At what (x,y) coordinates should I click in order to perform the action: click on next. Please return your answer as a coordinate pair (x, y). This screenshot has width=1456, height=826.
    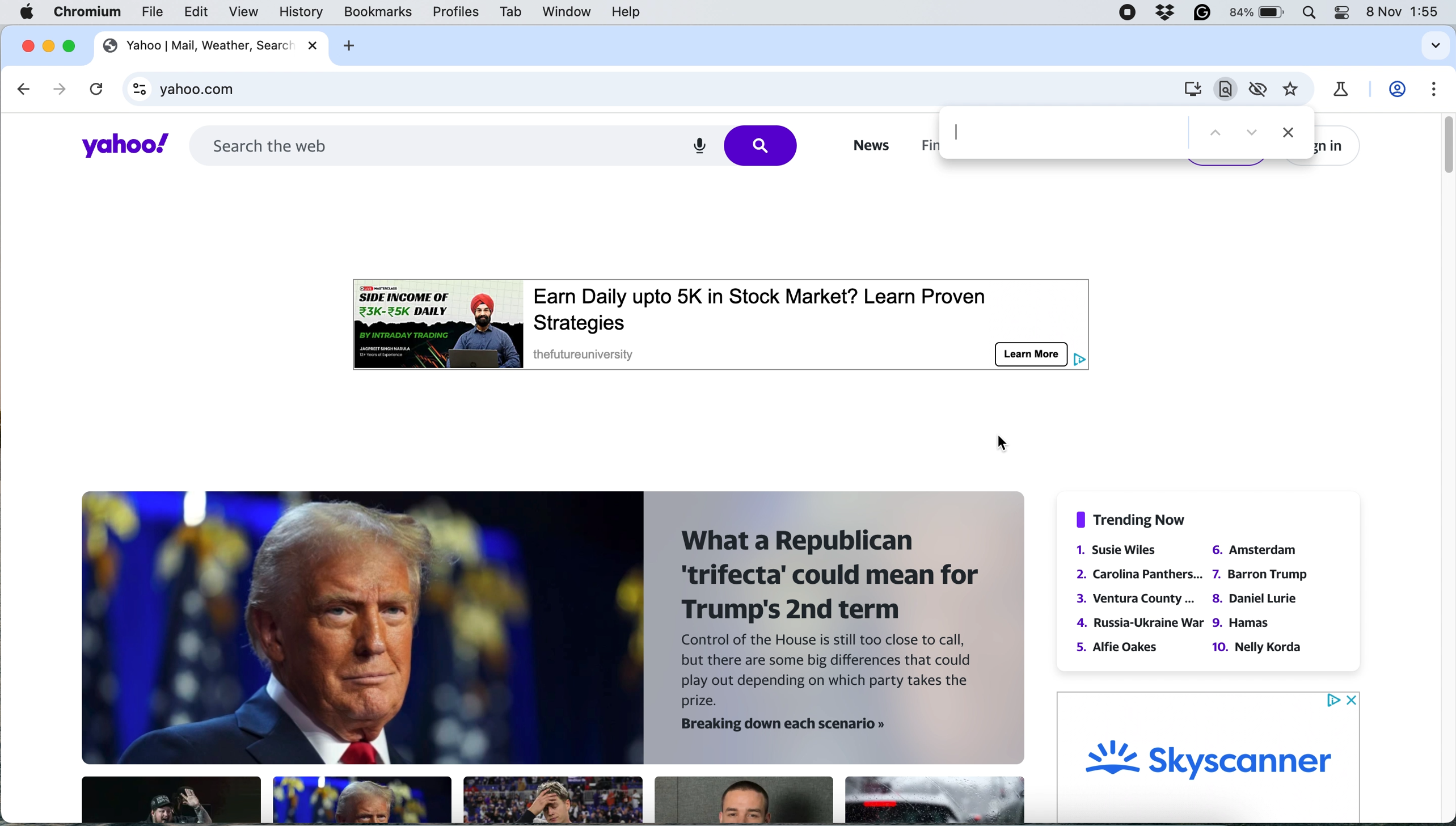
    Looking at the image, I should click on (1247, 134).